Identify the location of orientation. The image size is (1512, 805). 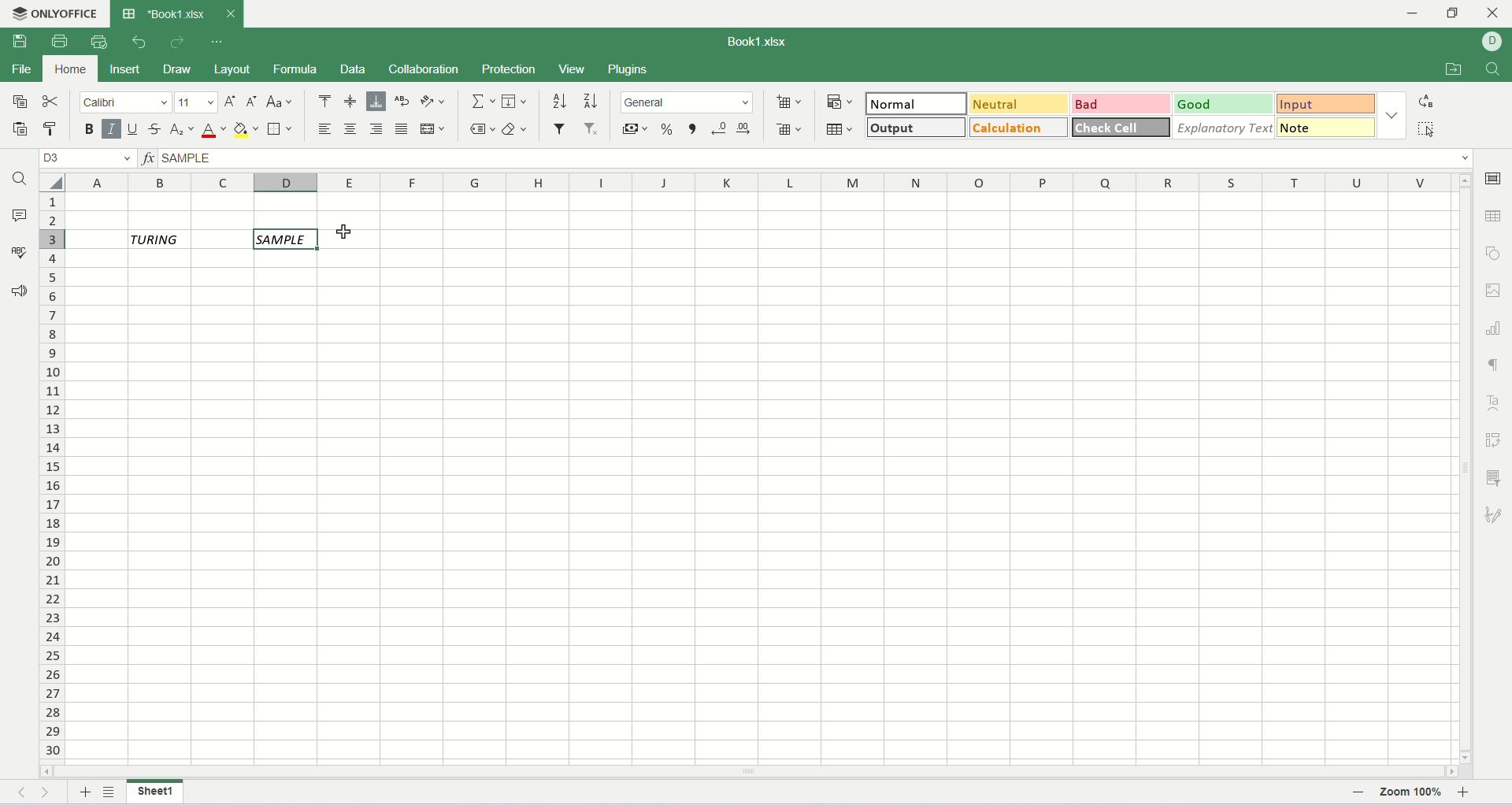
(433, 102).